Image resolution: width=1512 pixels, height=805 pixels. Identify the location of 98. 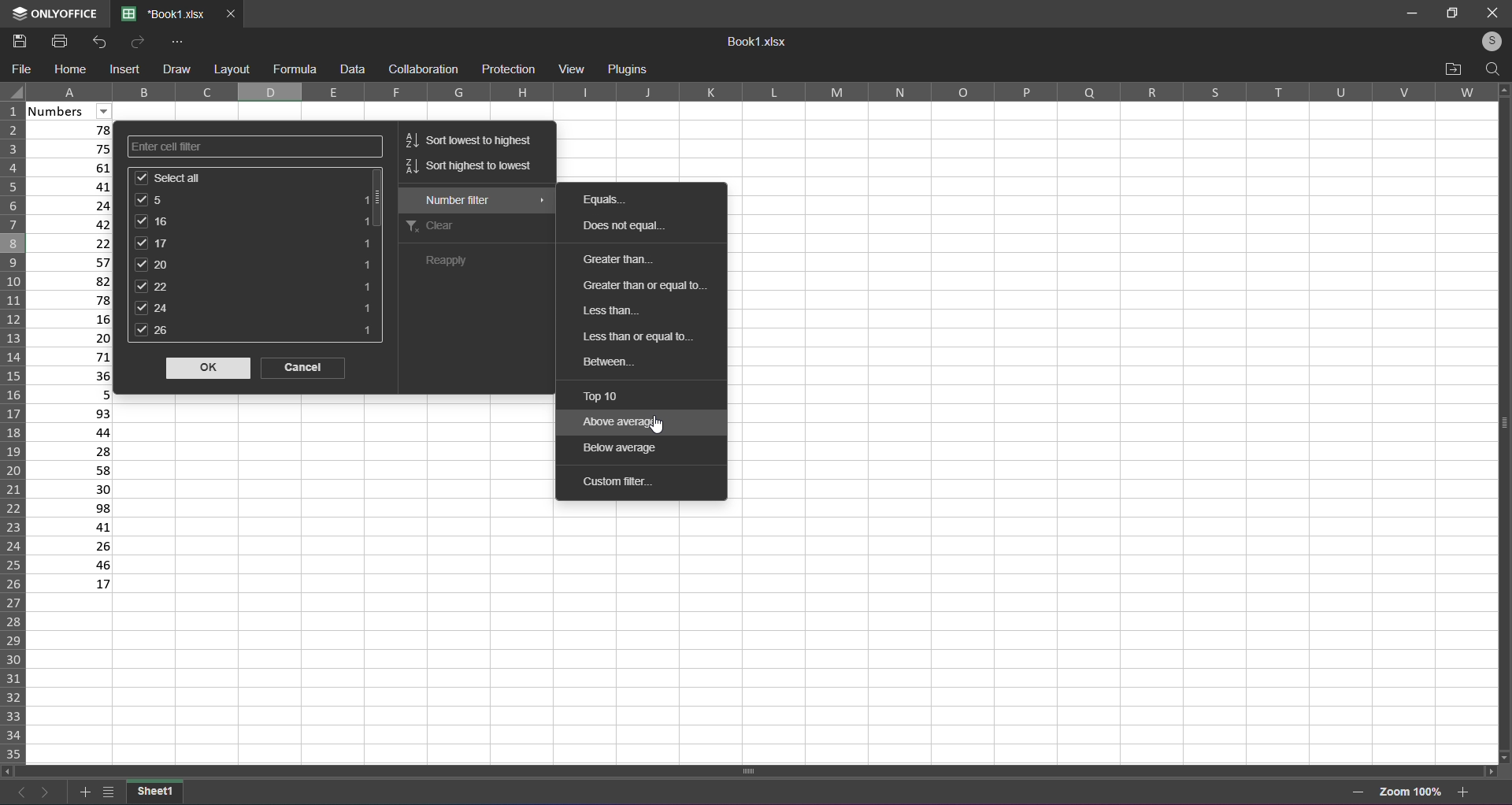
(70, 508).